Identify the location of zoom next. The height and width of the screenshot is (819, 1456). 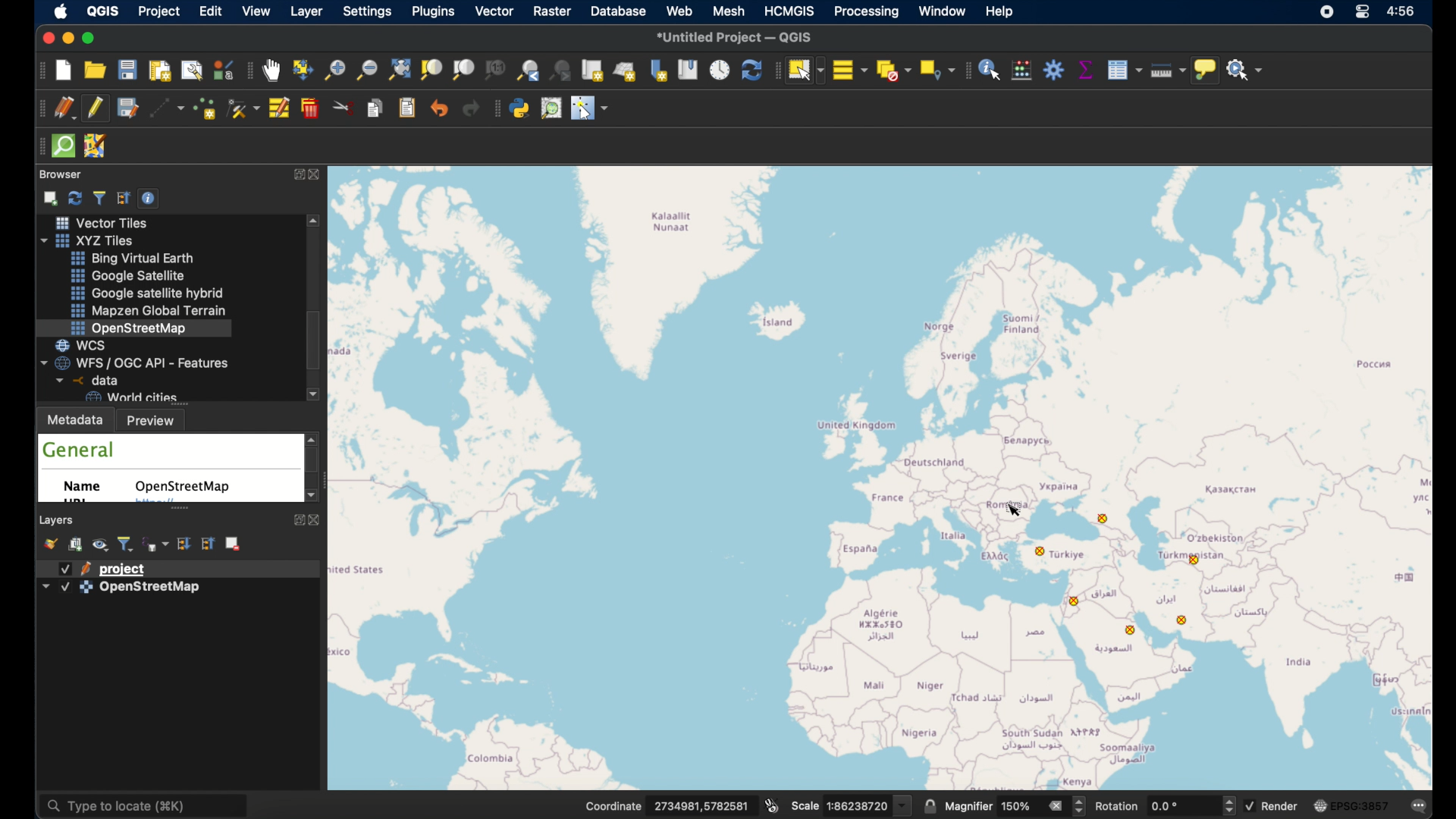
(562, 71).